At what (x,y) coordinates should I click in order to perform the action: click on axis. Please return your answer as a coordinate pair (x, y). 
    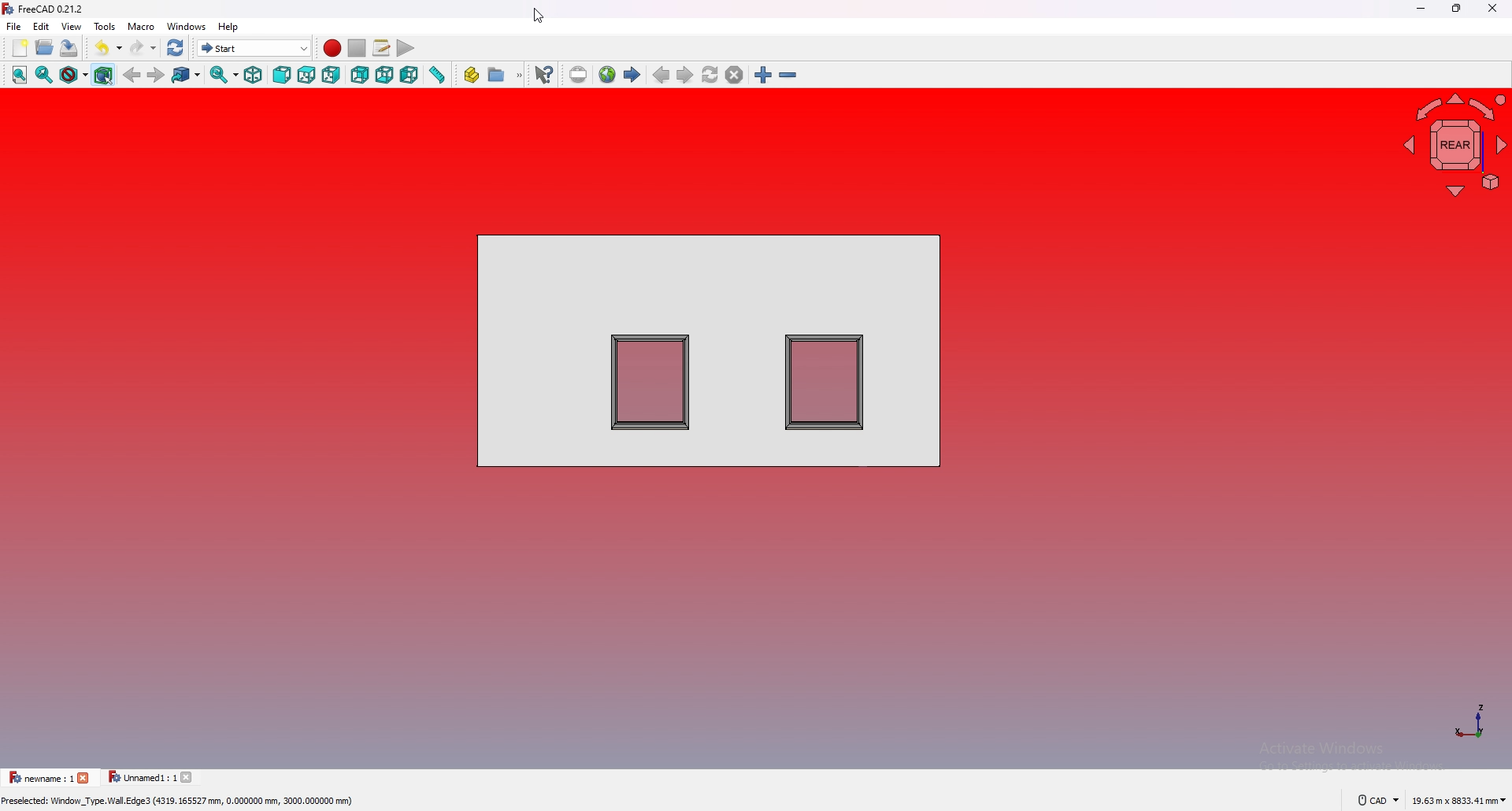
    Looking at the image, I should click on (1473, 720).